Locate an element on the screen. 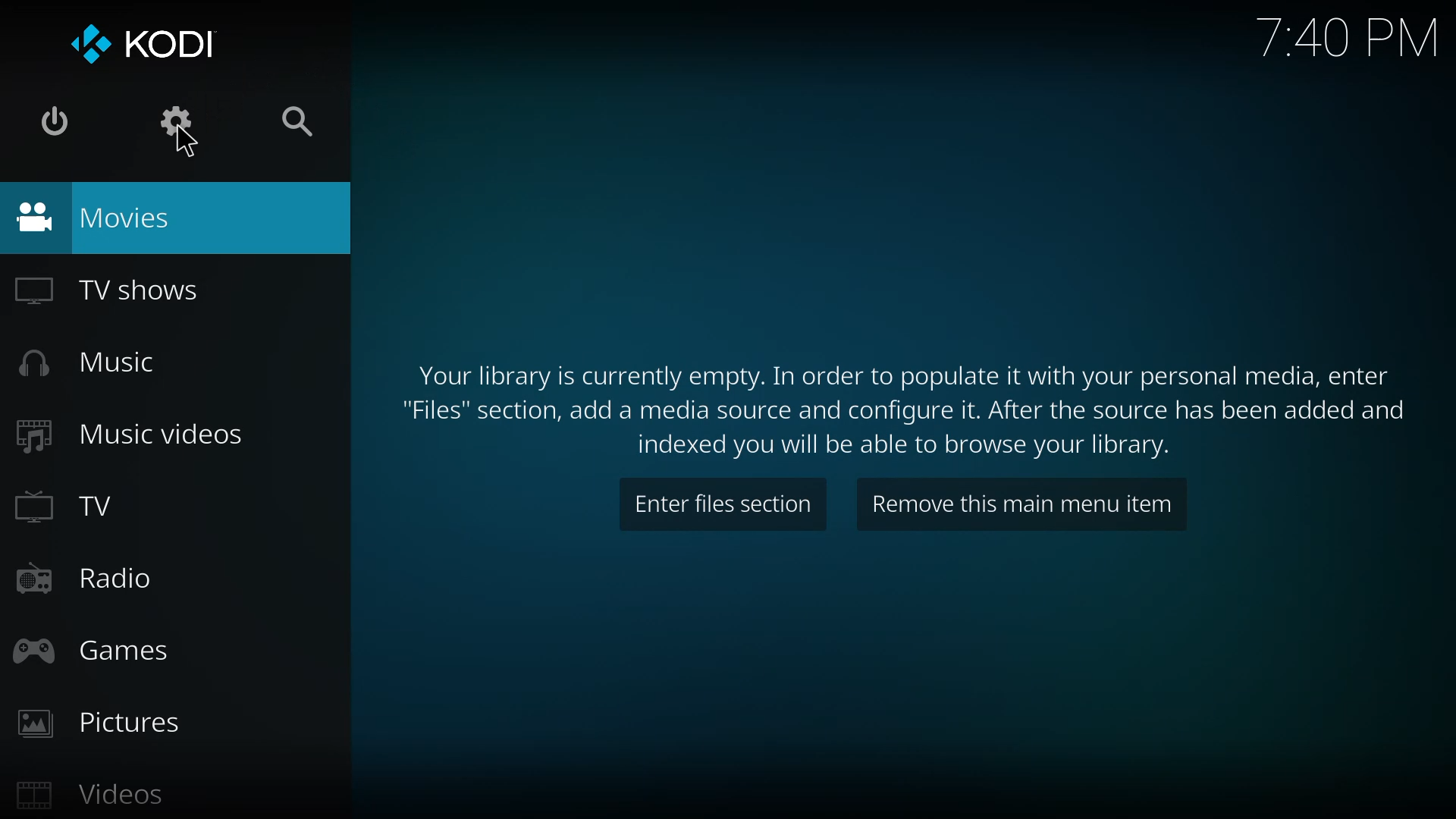 Image resolution: width=1456 pixels, height=819 pixels. games is located at coordinates (93, 649).